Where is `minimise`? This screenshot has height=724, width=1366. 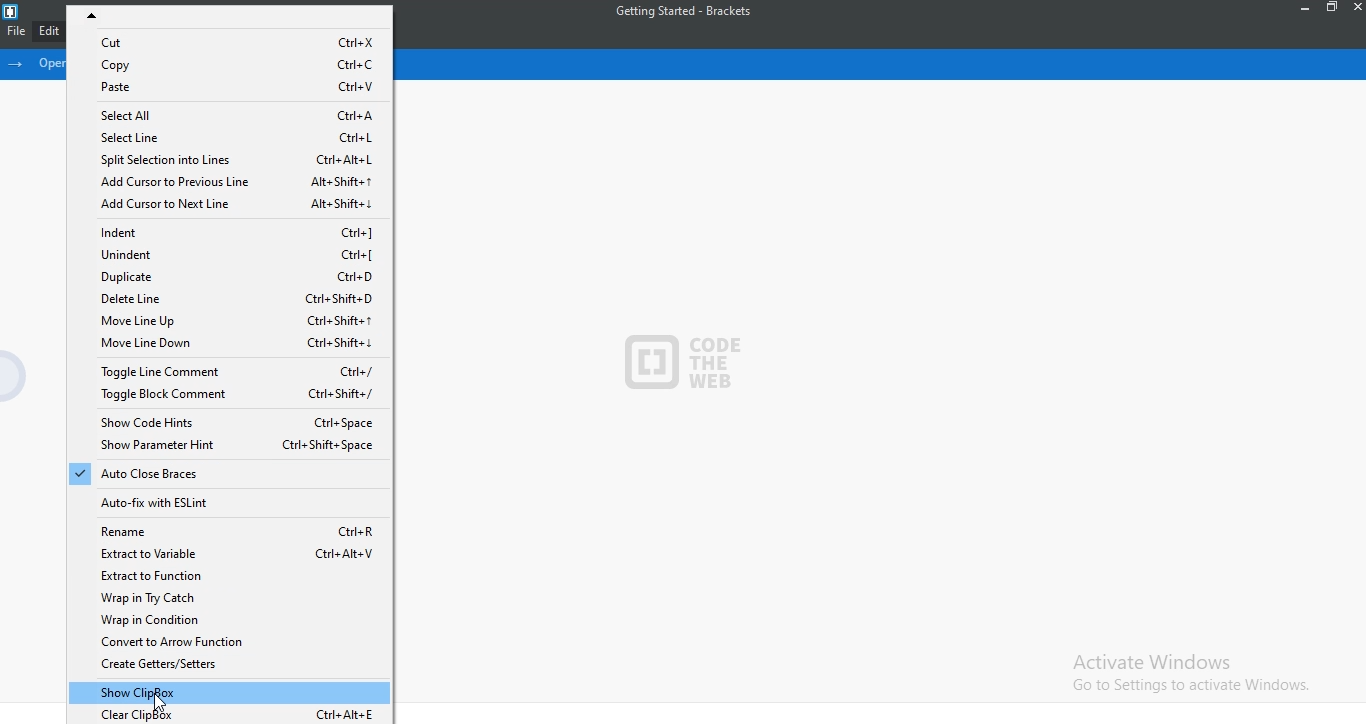 minimise is located at coordinates (1306, 10).